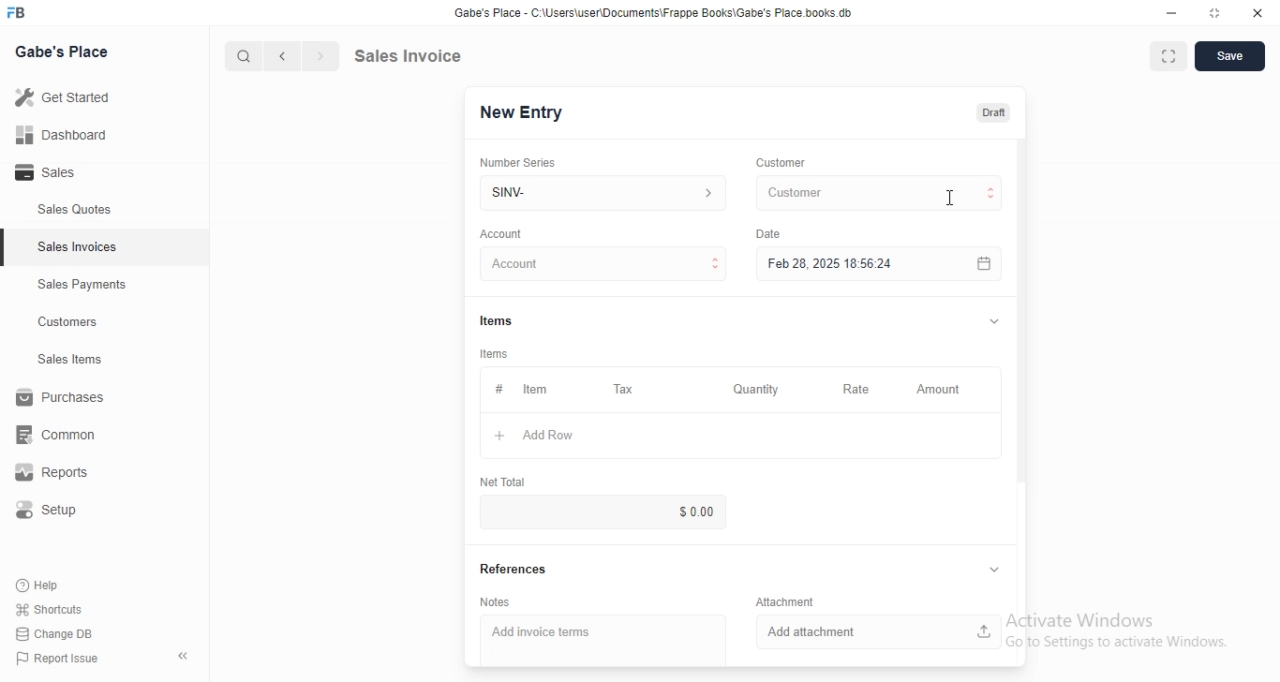 The image size is (1280, 682). I want to click on Gabe's Place, so click(66, 50).